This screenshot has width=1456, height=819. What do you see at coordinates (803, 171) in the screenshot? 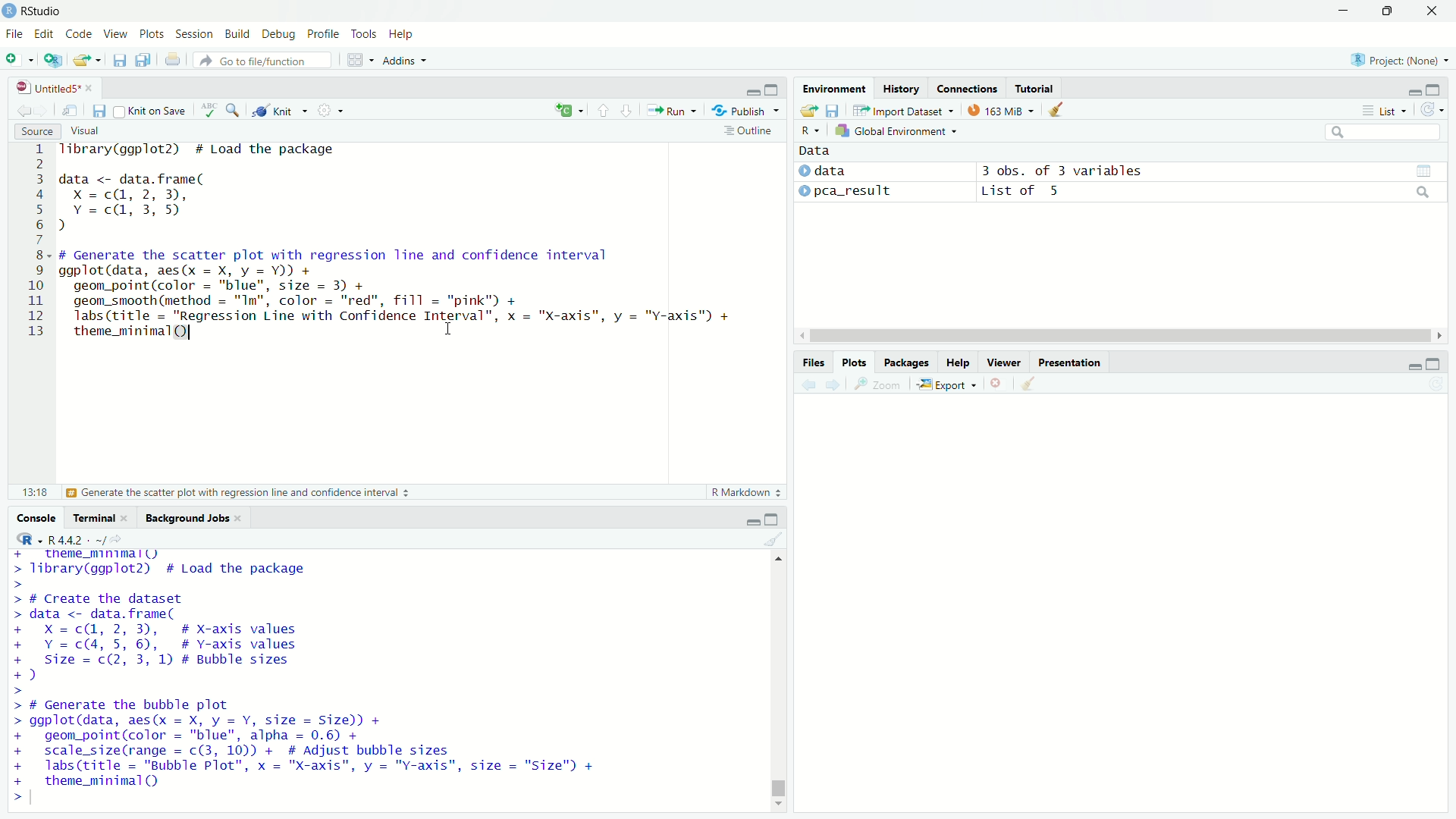
I see `expand/collapse` at bounding box center [803, 171].